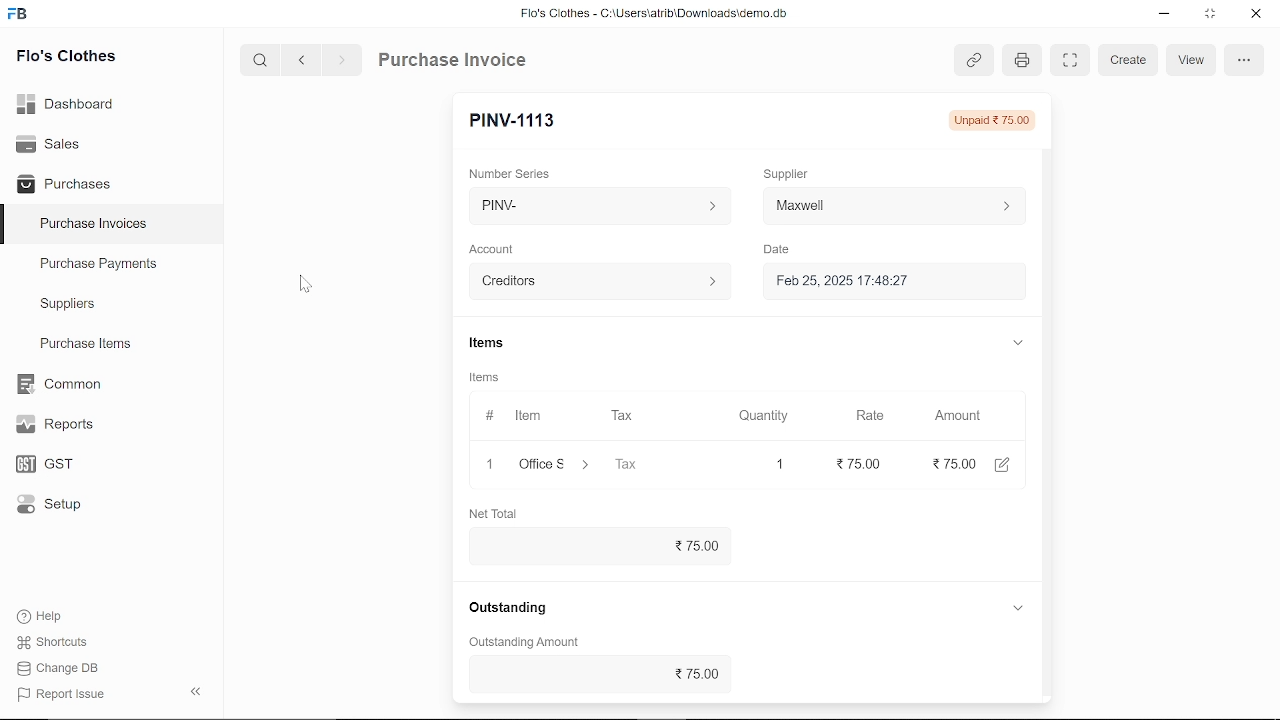 Image resolution: width=1280 pixels, height=720 pixels. Describe the element at coordinates (766, 415) in the screenshot. I see `Quantity` at that location.